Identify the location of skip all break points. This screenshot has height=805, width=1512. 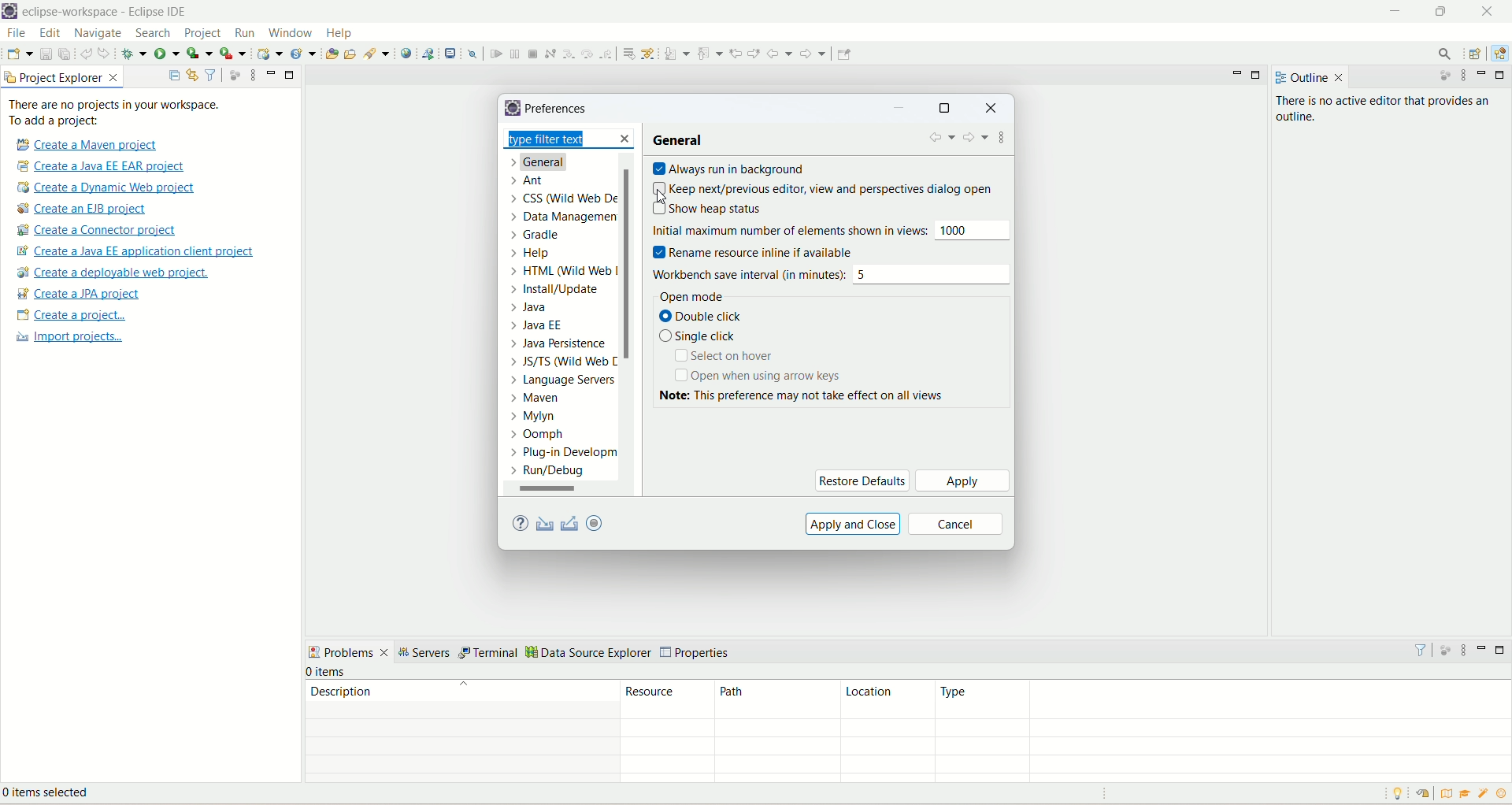
(472, 53).